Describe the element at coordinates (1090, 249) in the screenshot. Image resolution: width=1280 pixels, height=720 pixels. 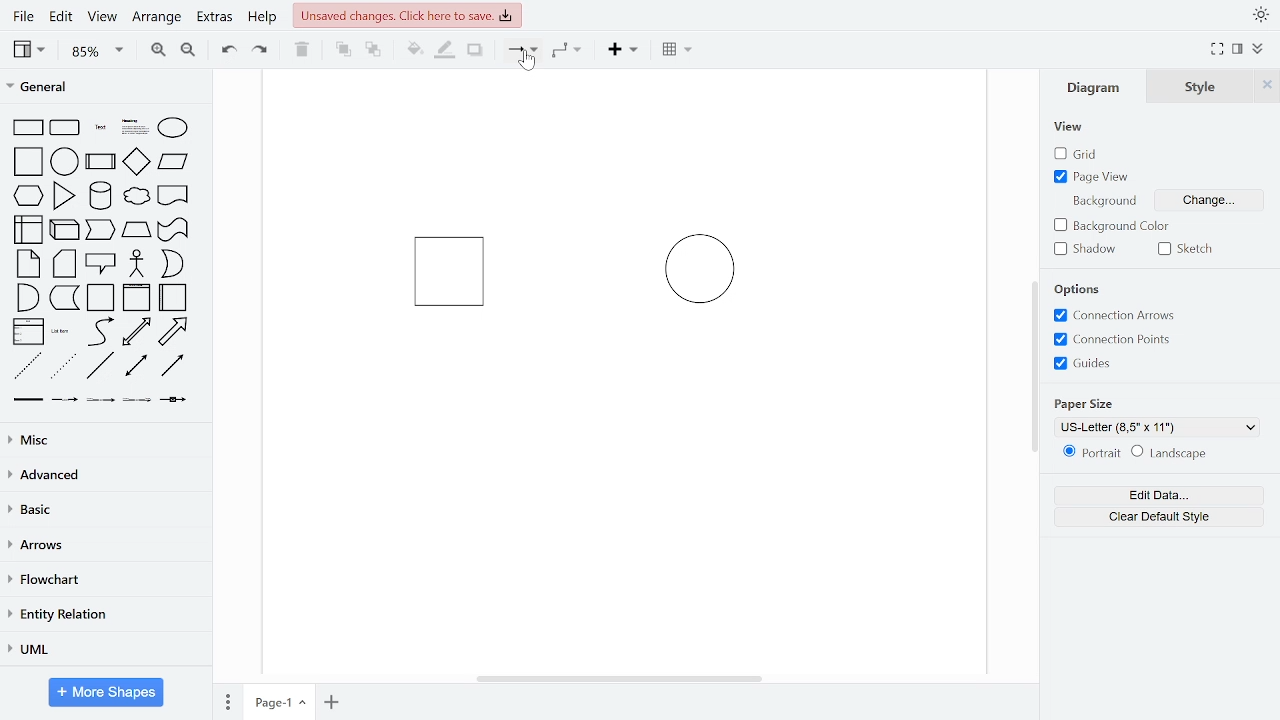
I see `shadow` at that location.